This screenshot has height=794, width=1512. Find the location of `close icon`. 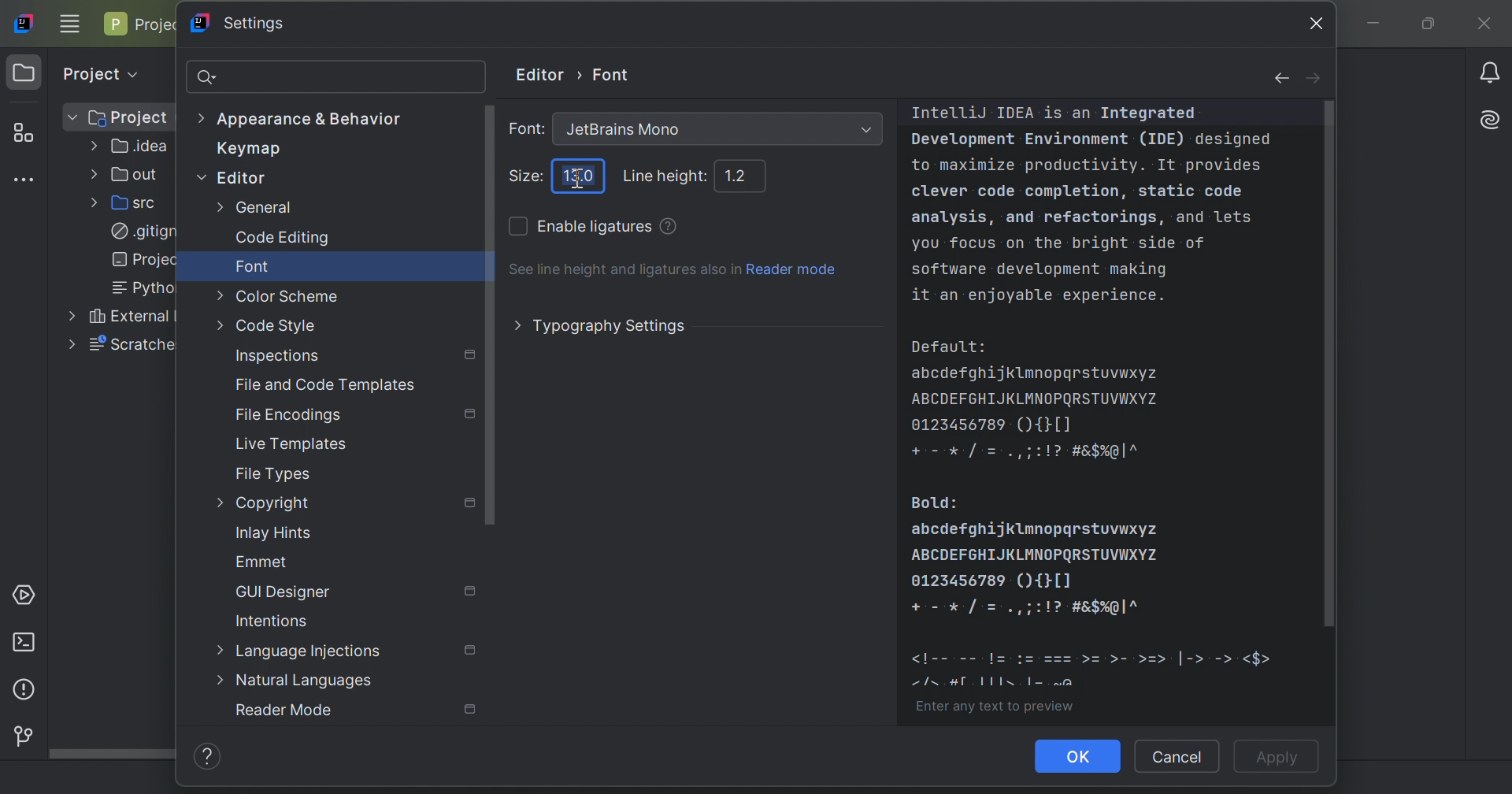

close icon is located at coordinates (1312, 22).